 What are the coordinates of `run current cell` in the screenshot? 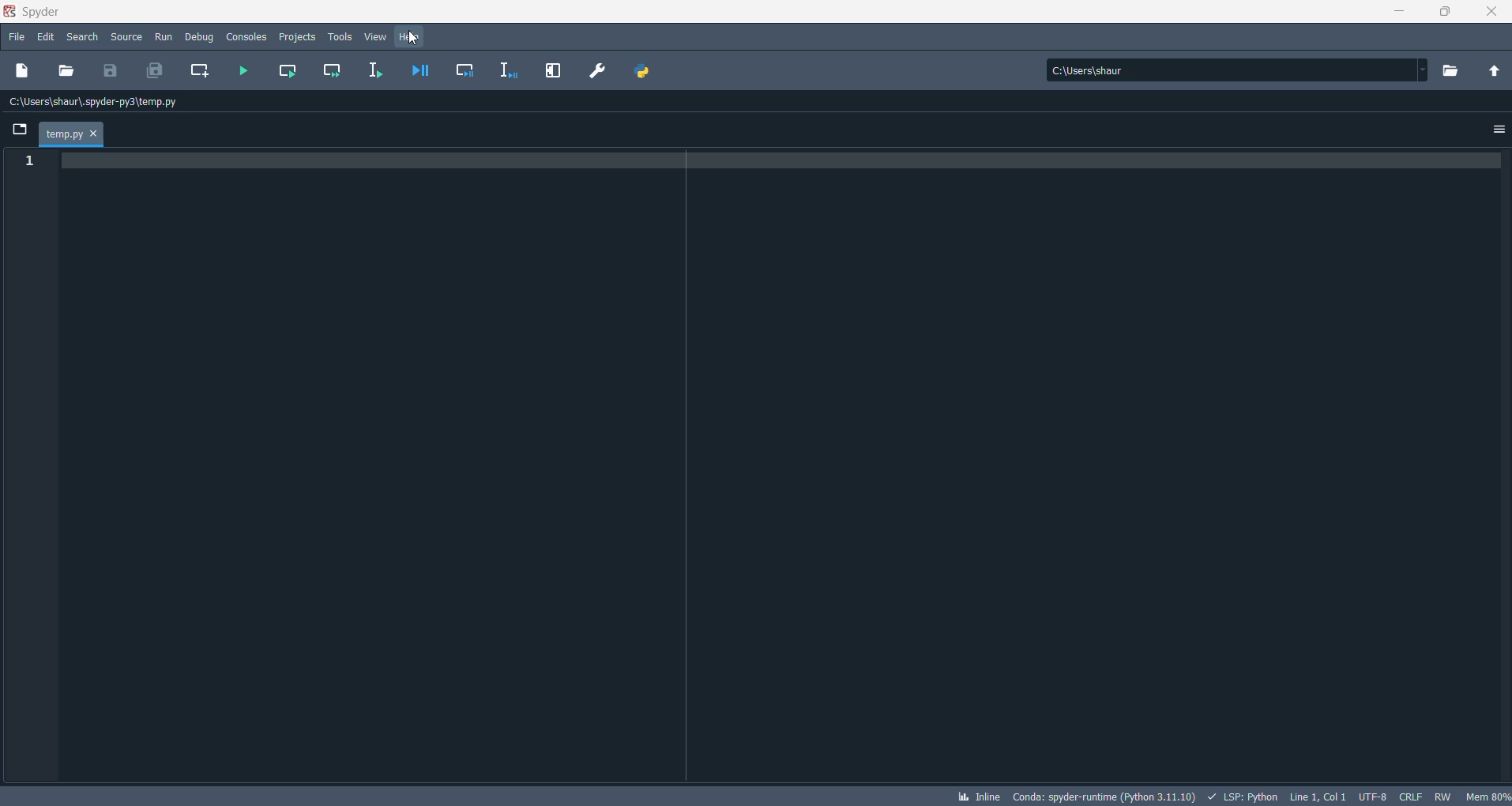 It's located at (291, 71).